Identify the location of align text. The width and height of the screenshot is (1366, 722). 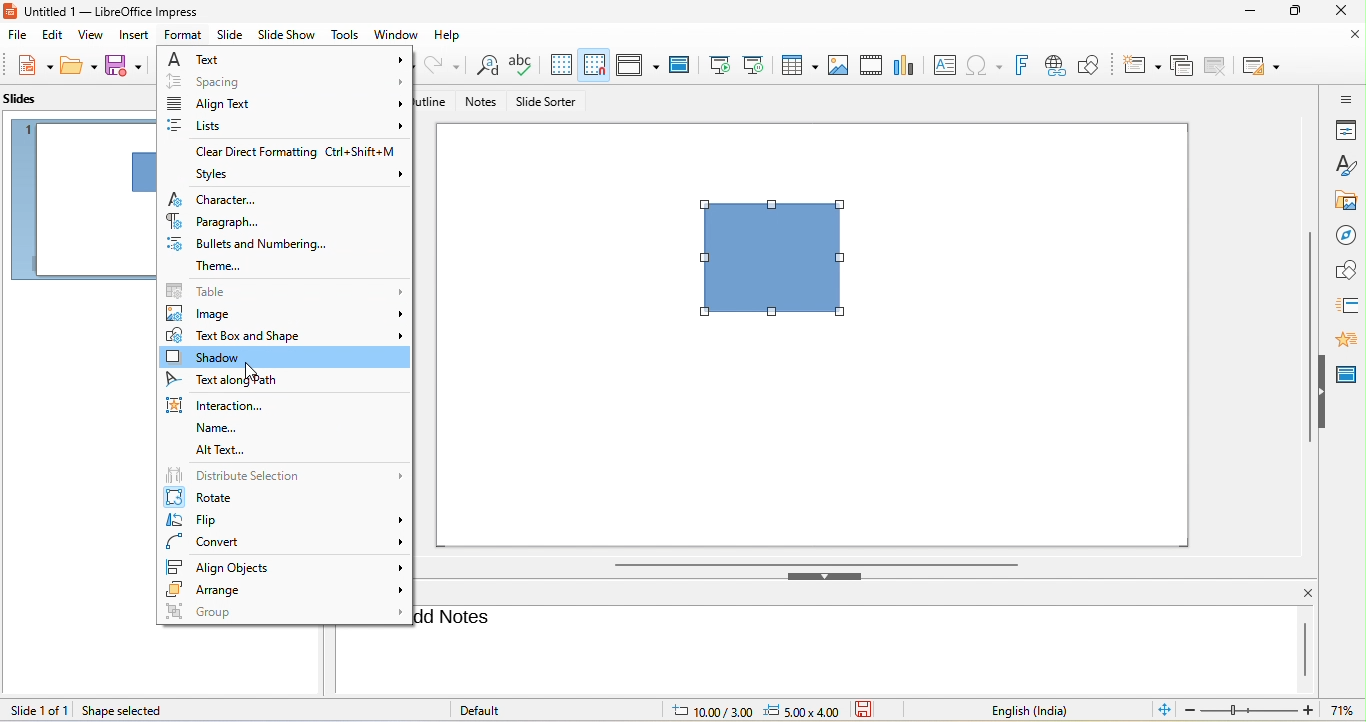
(286, 101).